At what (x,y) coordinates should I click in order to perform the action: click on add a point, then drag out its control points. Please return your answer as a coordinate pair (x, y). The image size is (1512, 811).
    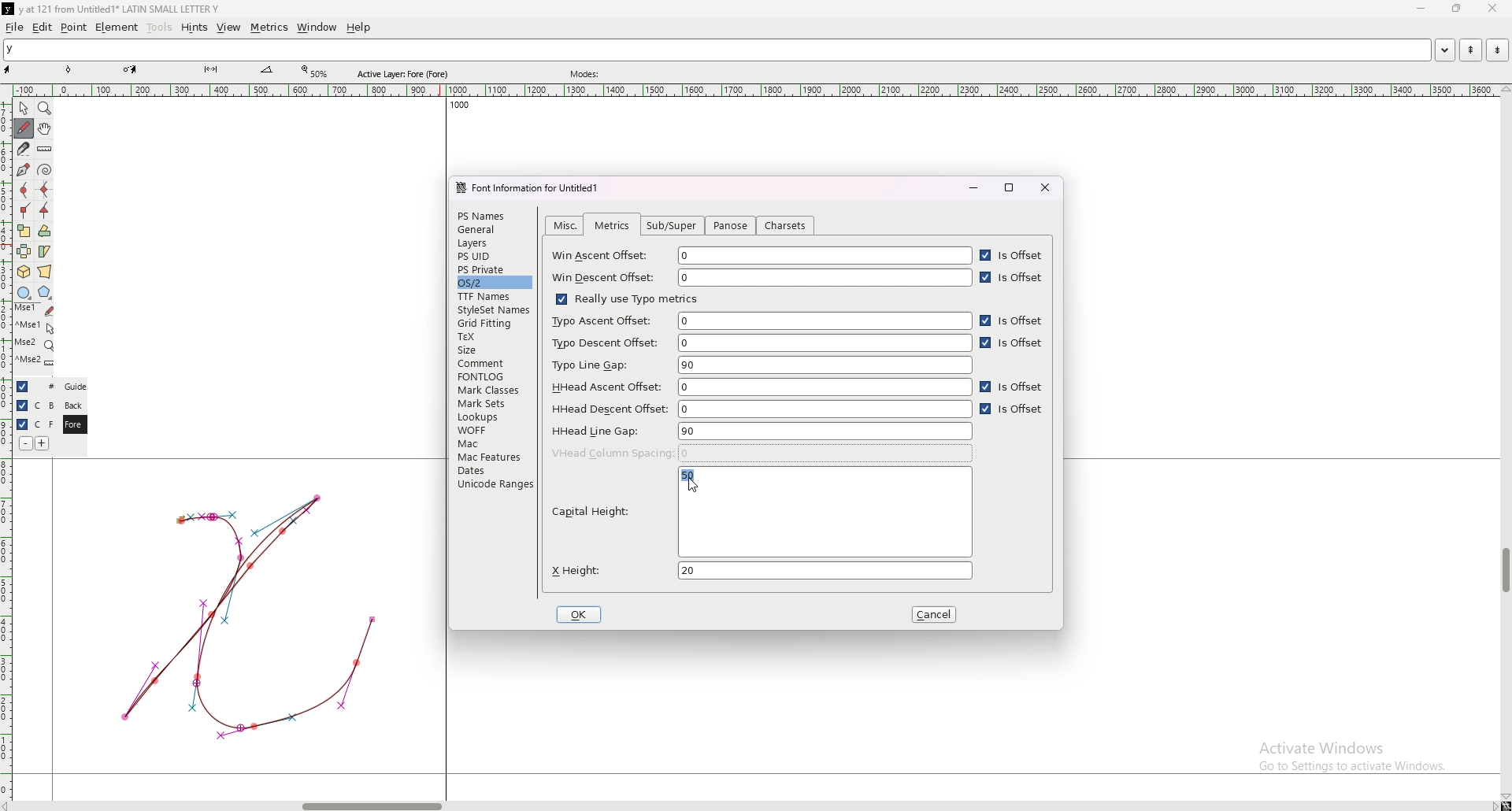
    Looking at the image, I should click on (22, 168).